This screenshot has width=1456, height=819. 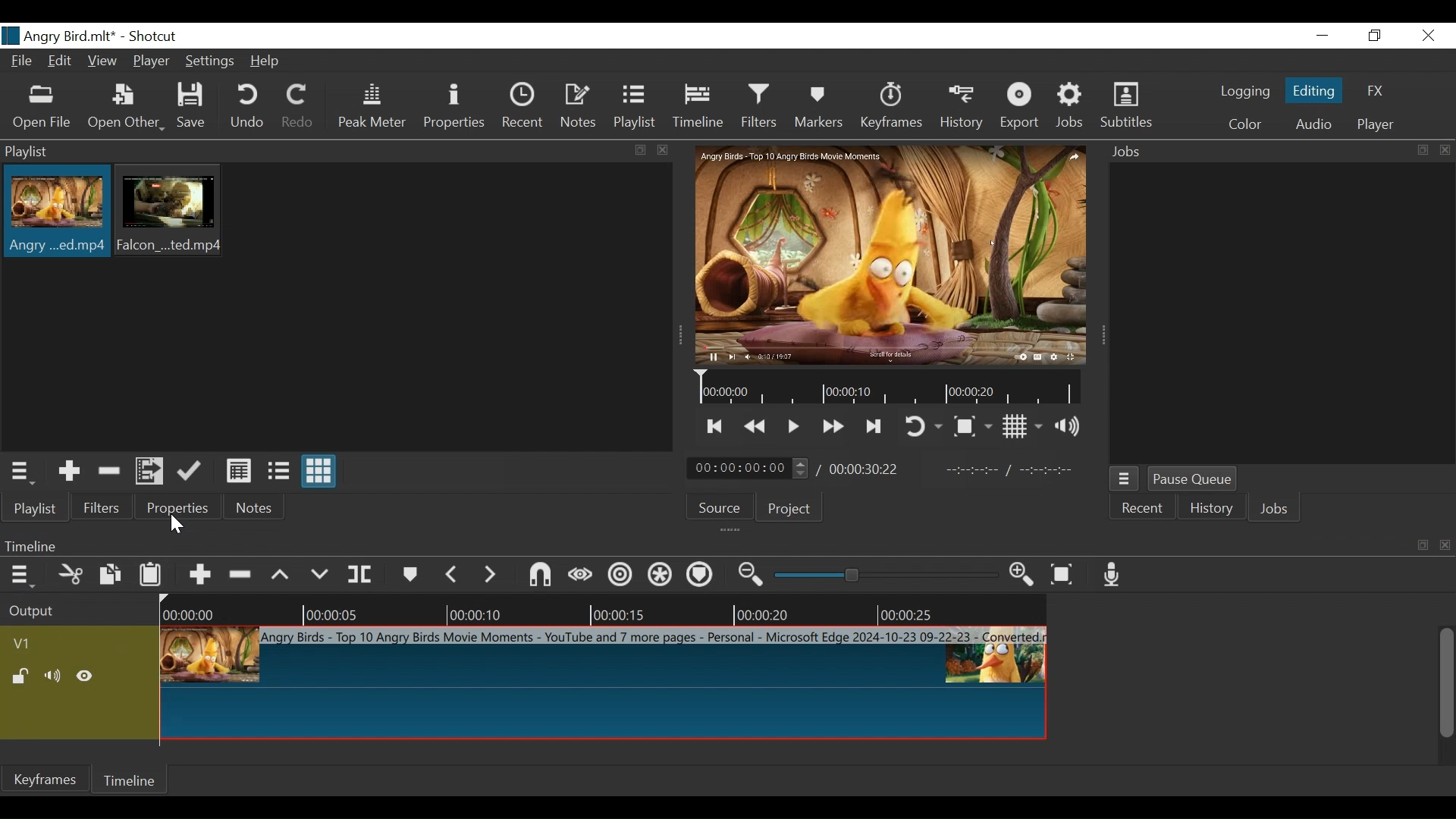 I want to click on Jobs Panel, so click(x=1280, y=315).